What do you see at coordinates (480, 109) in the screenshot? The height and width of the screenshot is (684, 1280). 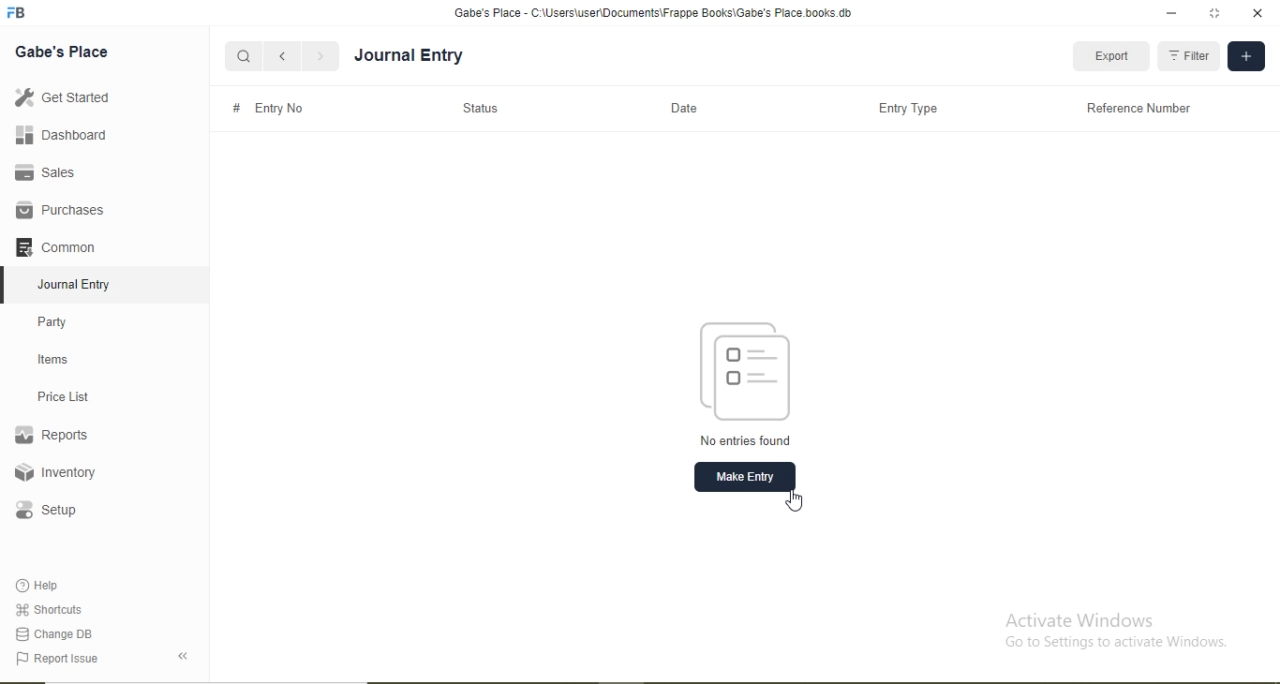 I see `Status` at bounding box center [480, 109].